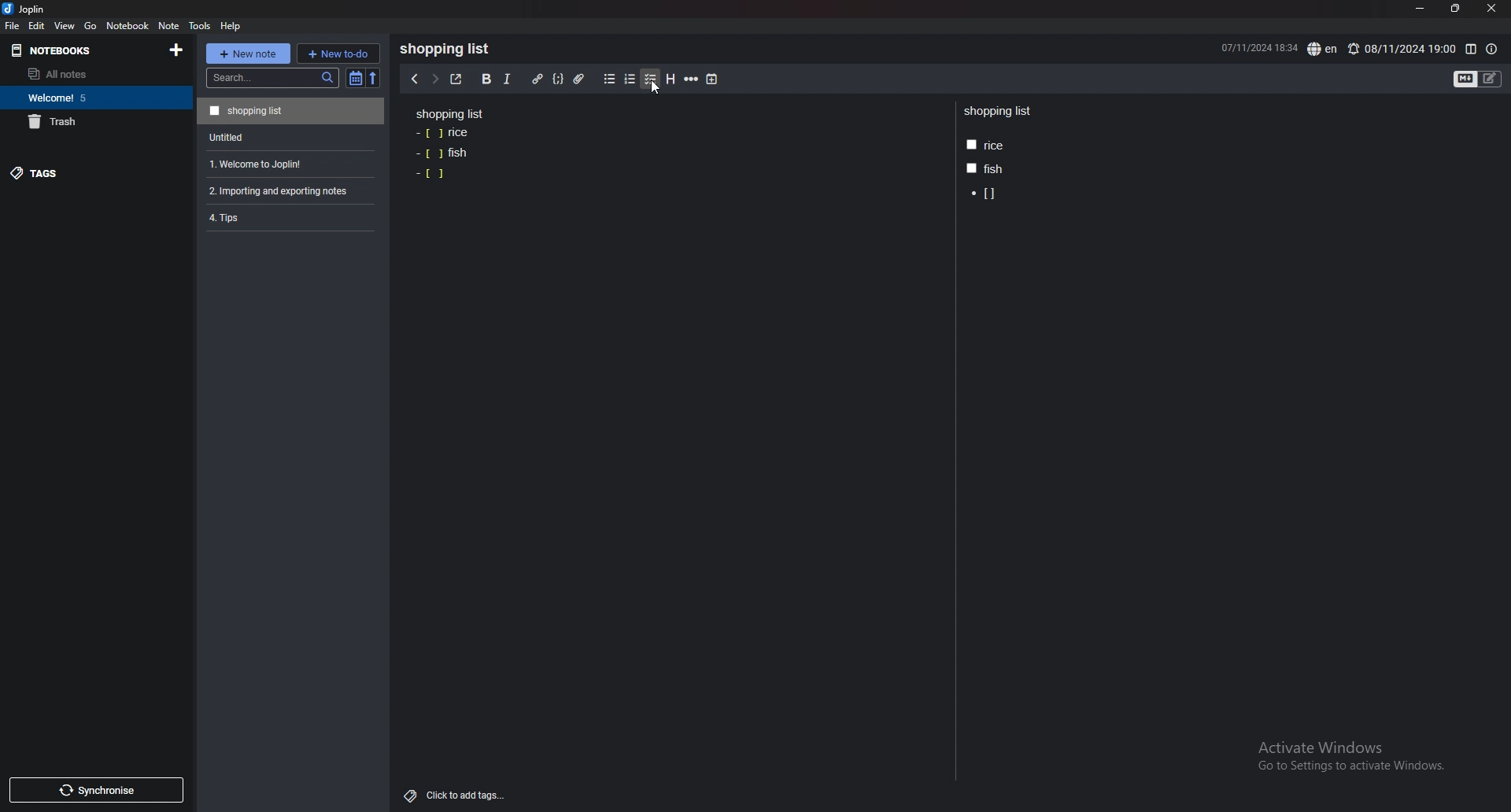  I want to click on check box, so click(985, 194).